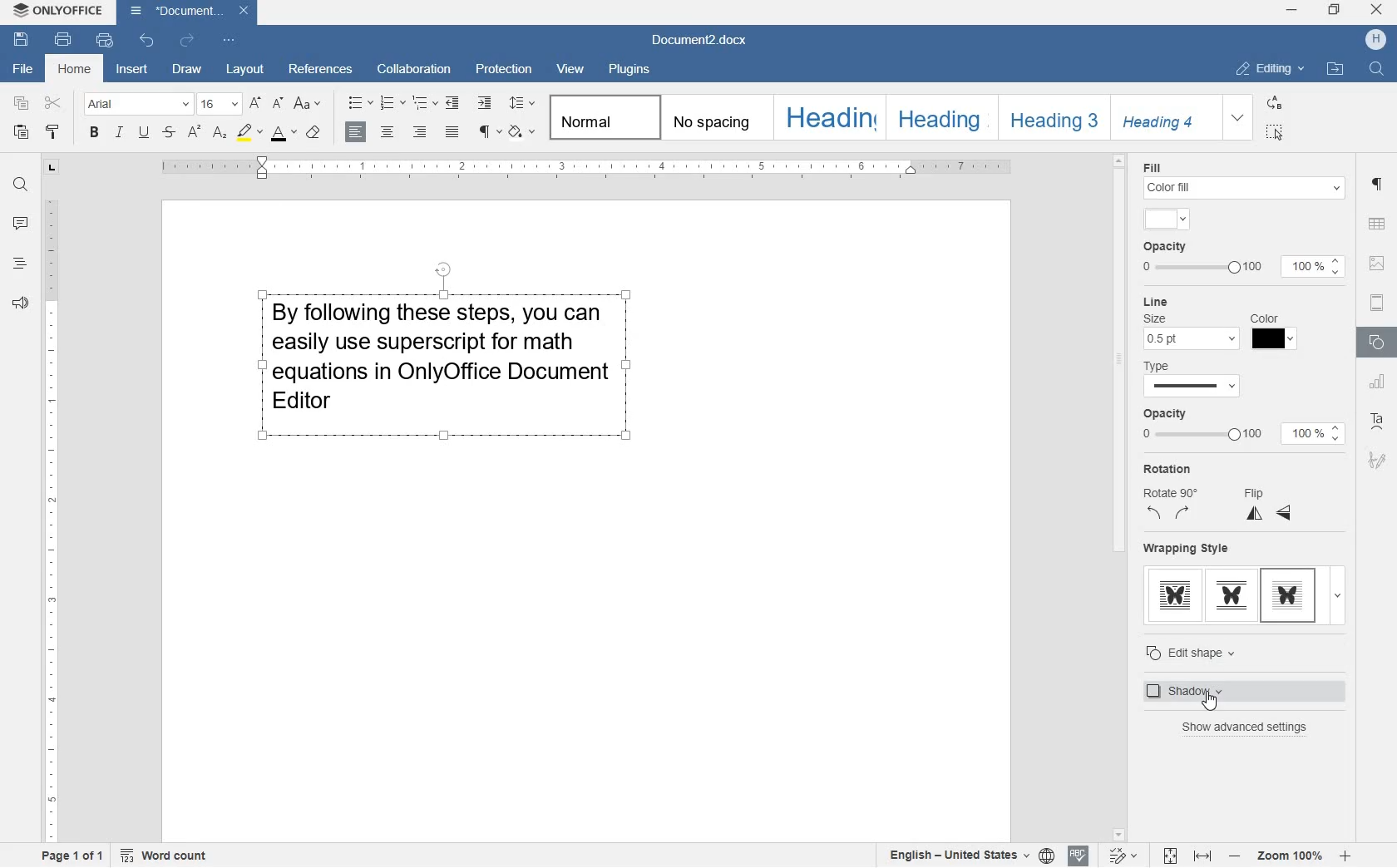  Describe the element at coordinates (1232, 595) in the screenshot. I see `top & bottom` at that location.